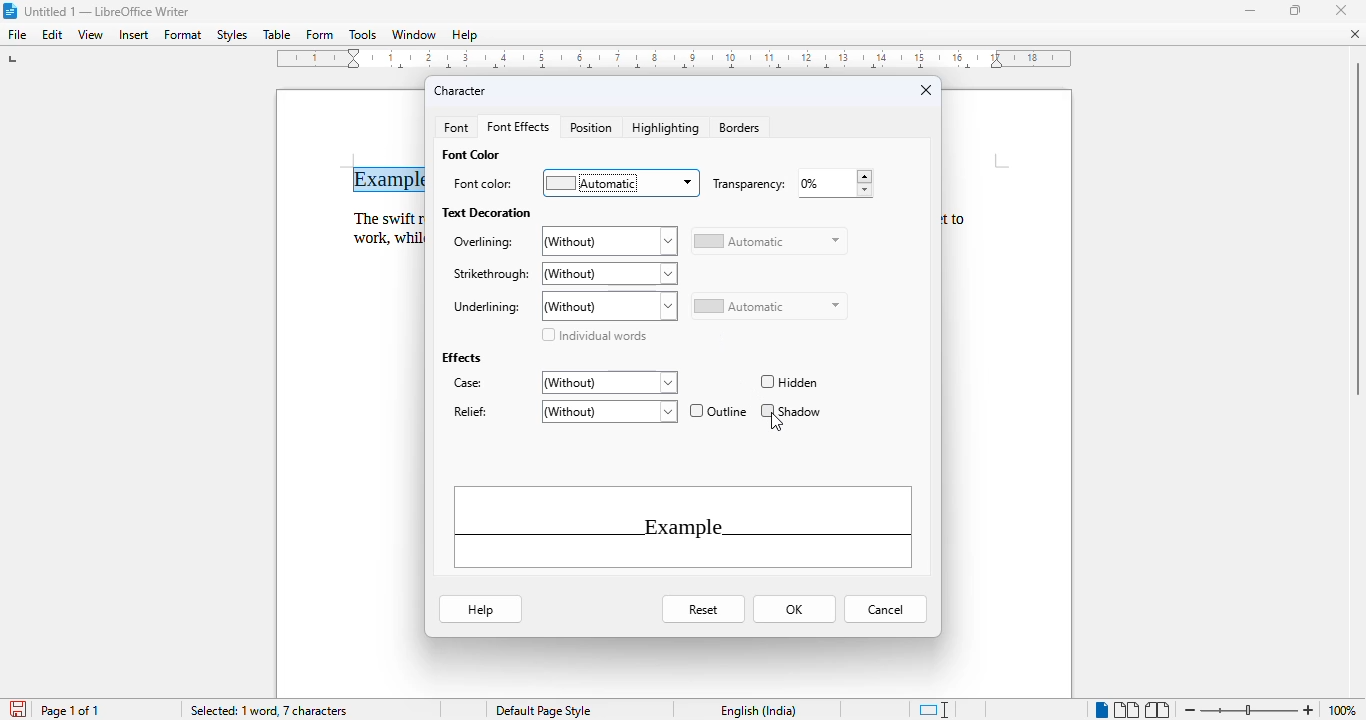  I want to click on underlining: (Without), so click(563, 306).